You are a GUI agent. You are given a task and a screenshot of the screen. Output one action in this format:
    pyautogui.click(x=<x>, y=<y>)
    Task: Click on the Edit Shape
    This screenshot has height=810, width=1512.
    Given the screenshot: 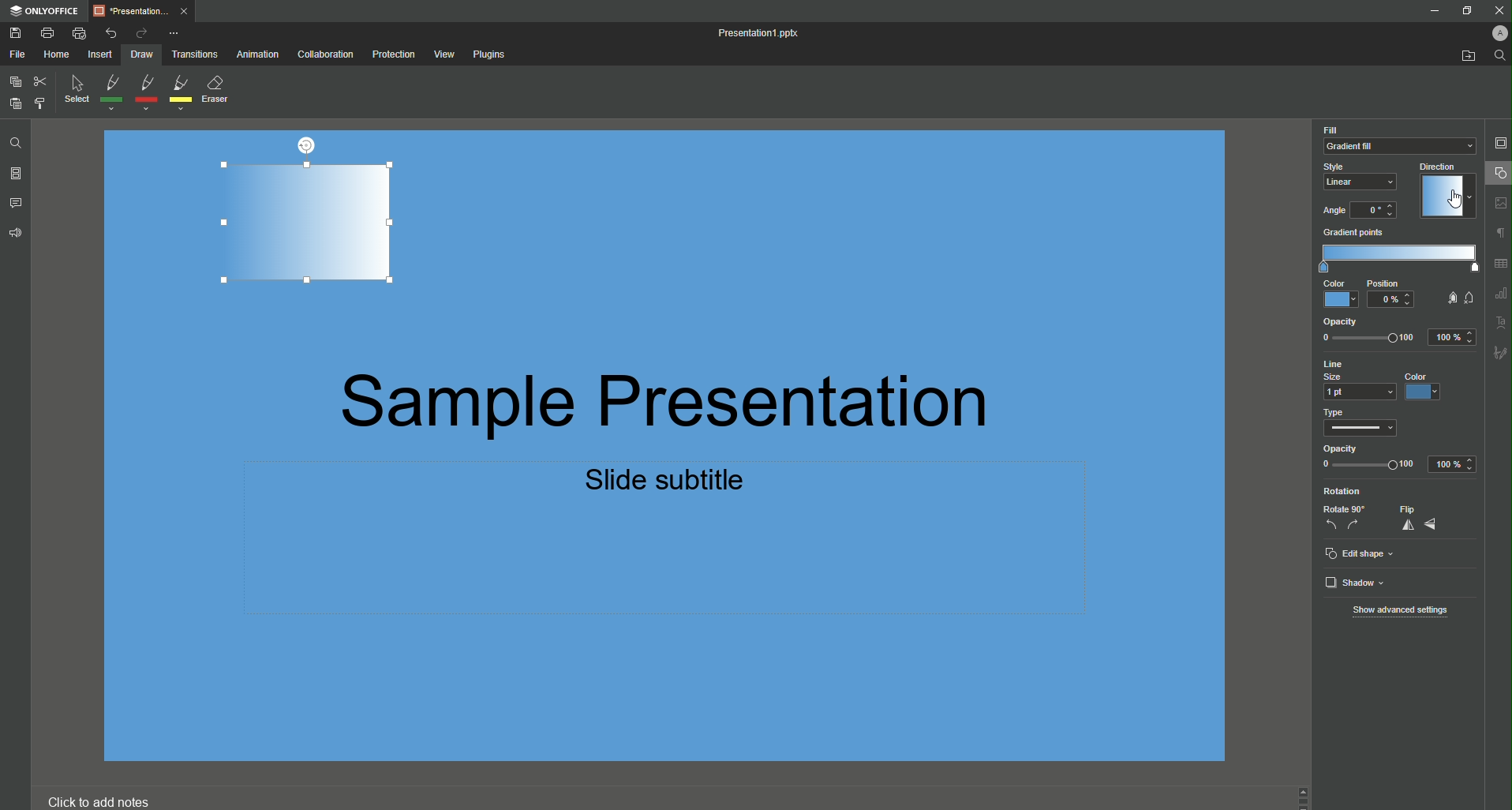 What is the action you would take?
    pyautogui.click(x=1364, y=554)
    